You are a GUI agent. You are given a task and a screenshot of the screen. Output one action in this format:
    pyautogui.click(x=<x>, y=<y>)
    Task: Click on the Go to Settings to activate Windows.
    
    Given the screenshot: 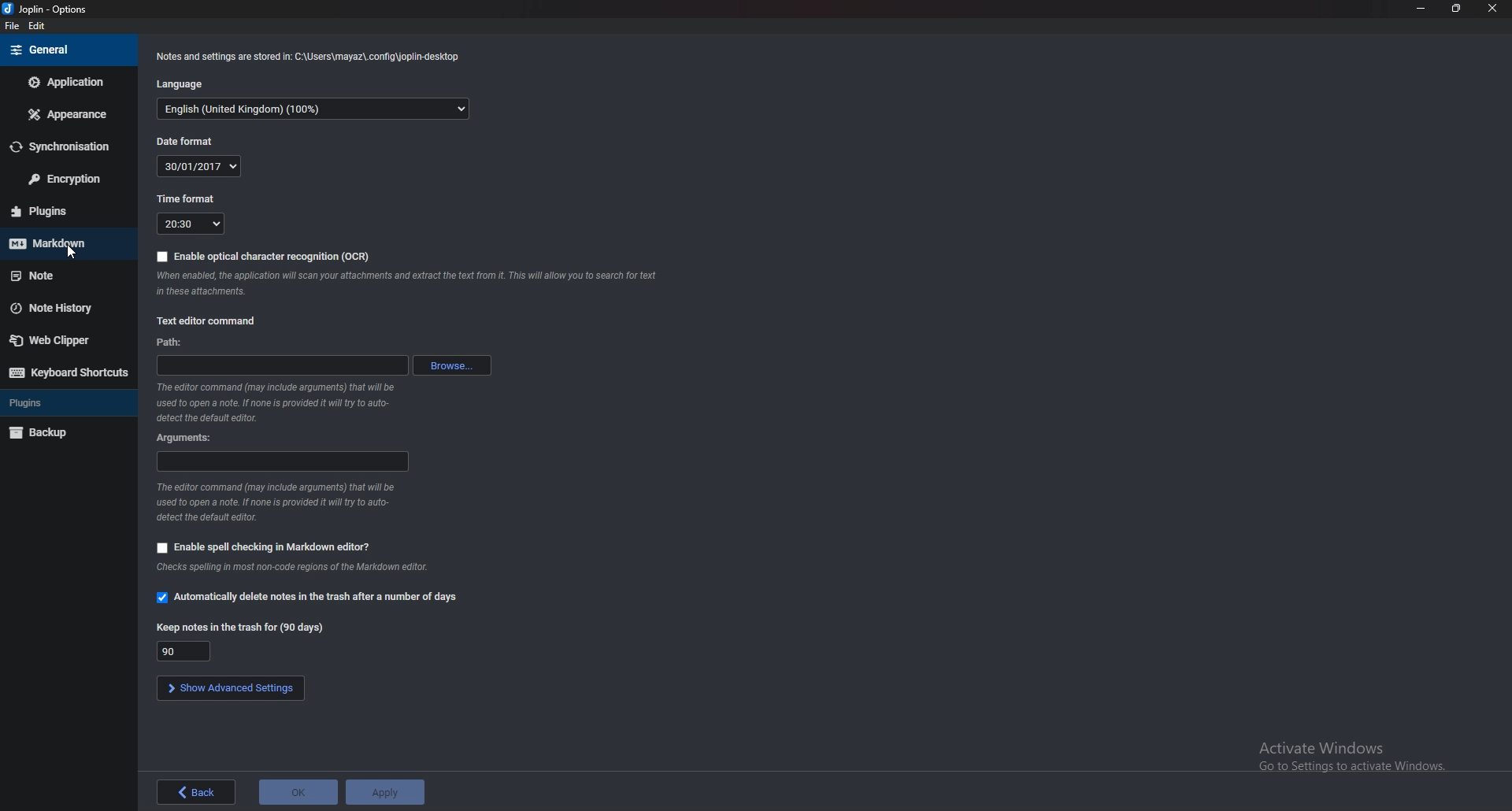 What is the action you would take?
    pyautogui.click(x=1348, y=768)
    